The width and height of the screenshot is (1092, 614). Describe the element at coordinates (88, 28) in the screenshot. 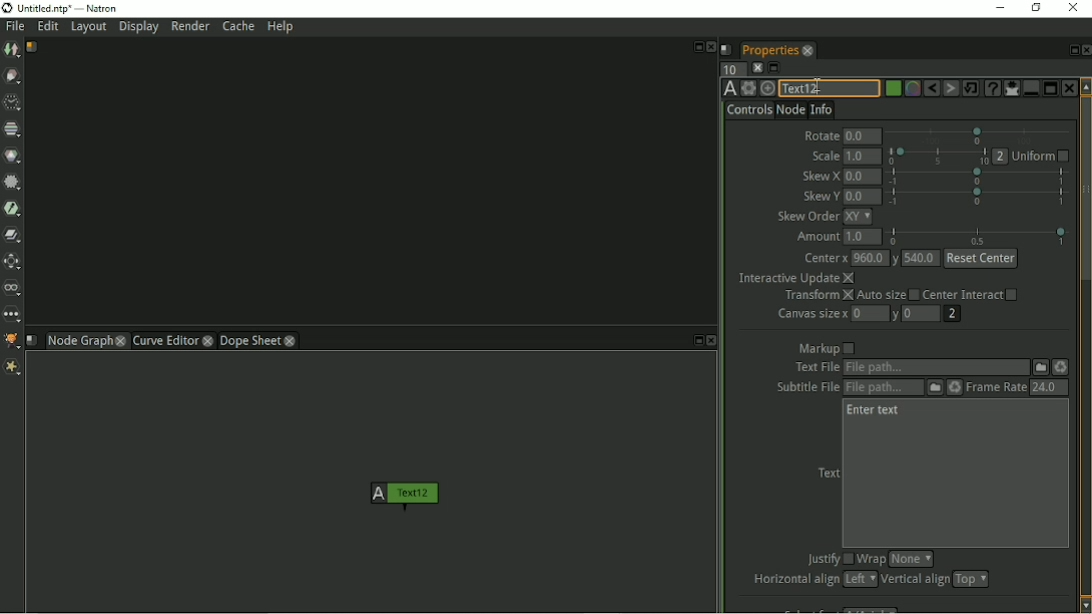

I see `Layout` at that location.